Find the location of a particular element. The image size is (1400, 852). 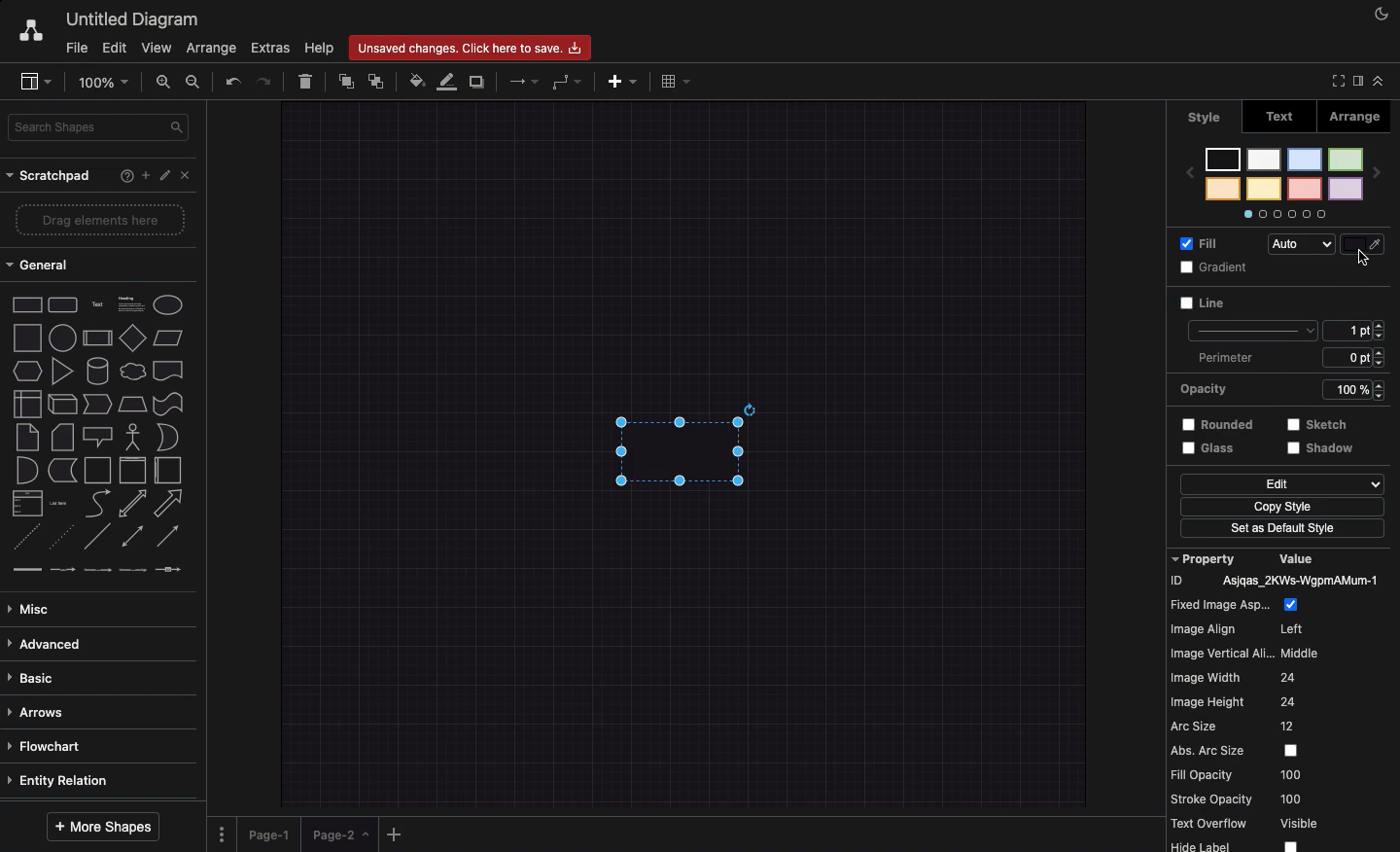

tape is located at coordinates (166, 404).